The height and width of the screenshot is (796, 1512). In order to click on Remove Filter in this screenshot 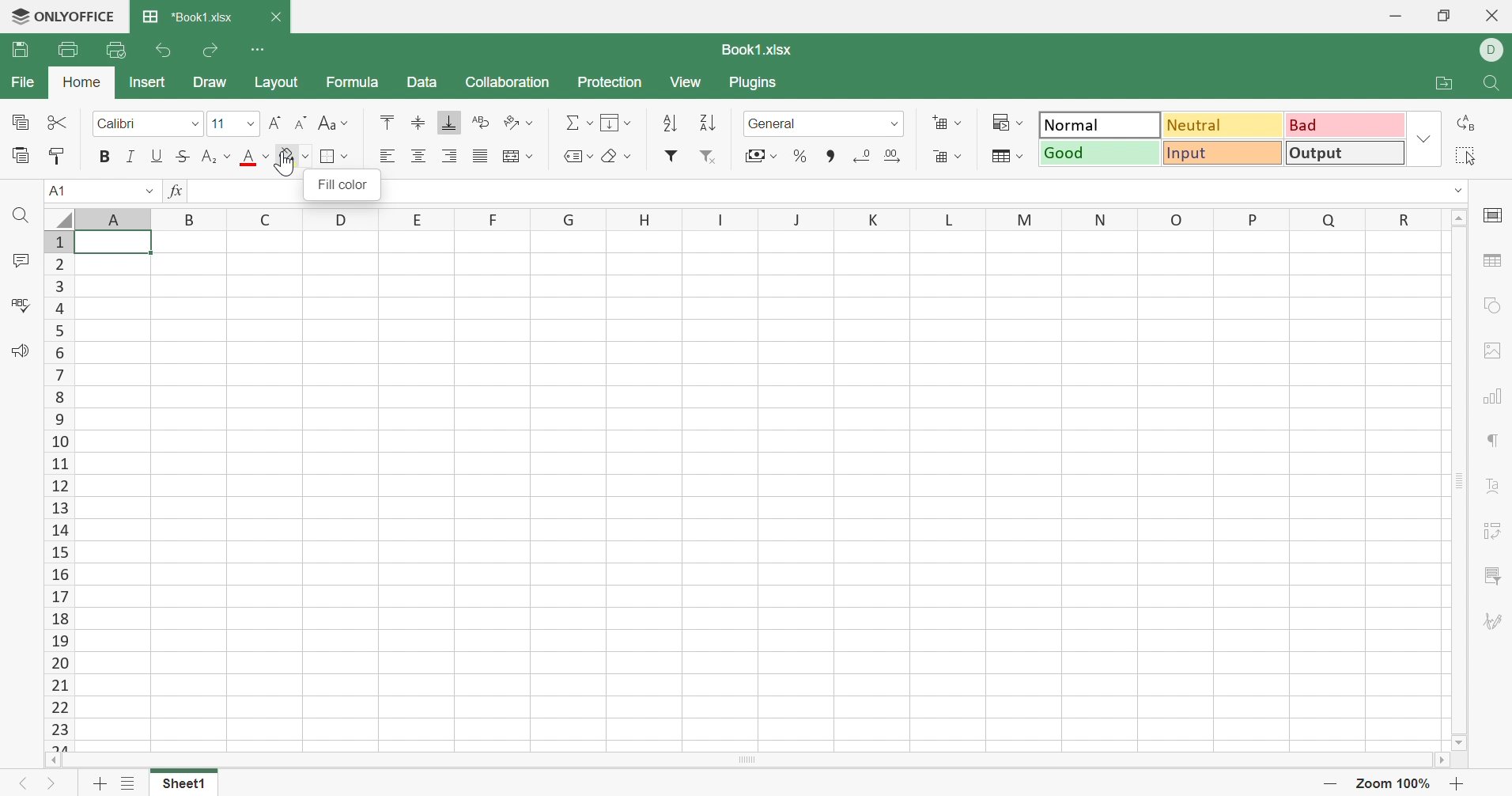, I will do `click(707, 154)`.